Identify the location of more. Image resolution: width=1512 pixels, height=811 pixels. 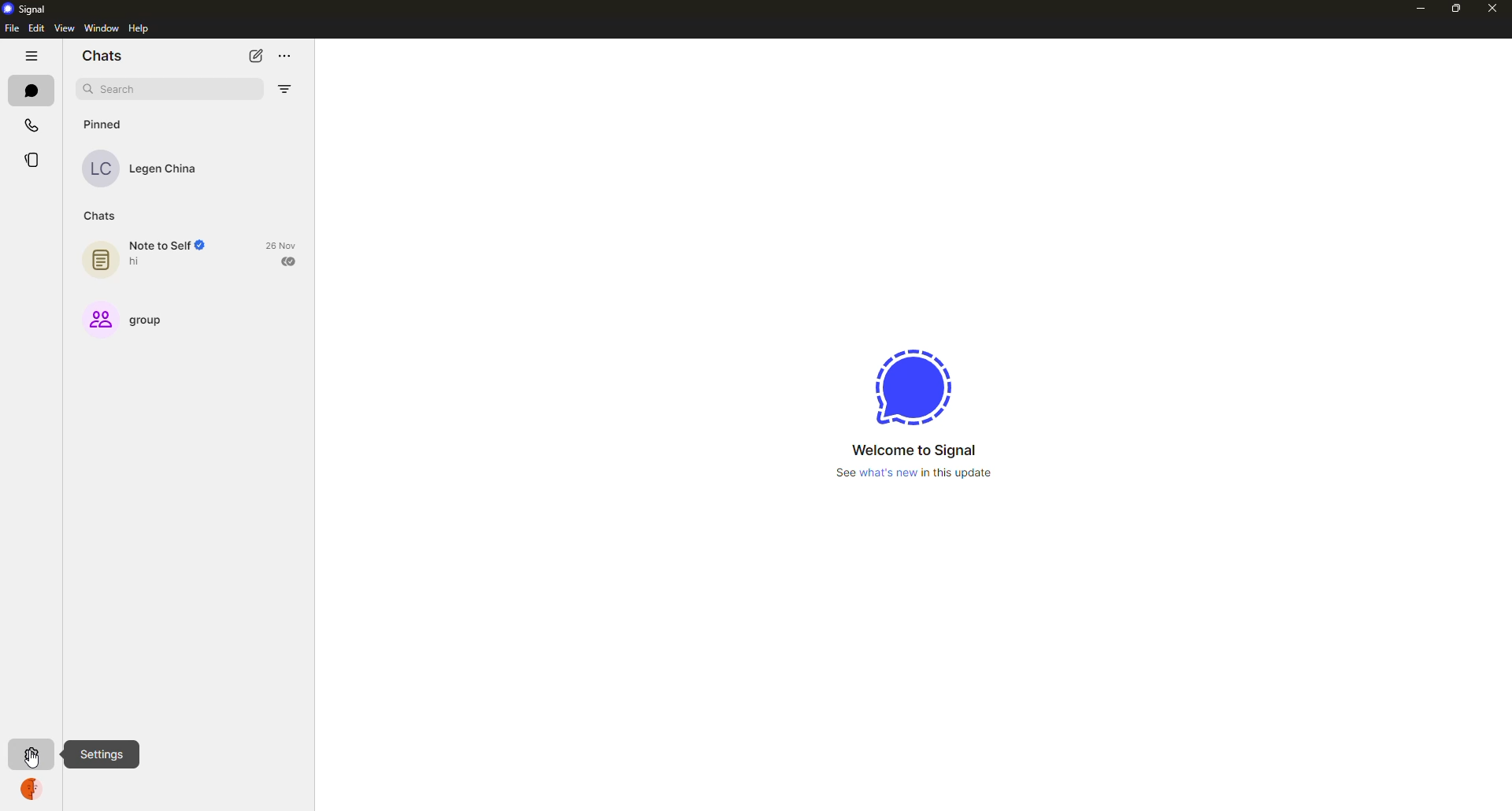
(294, 54).